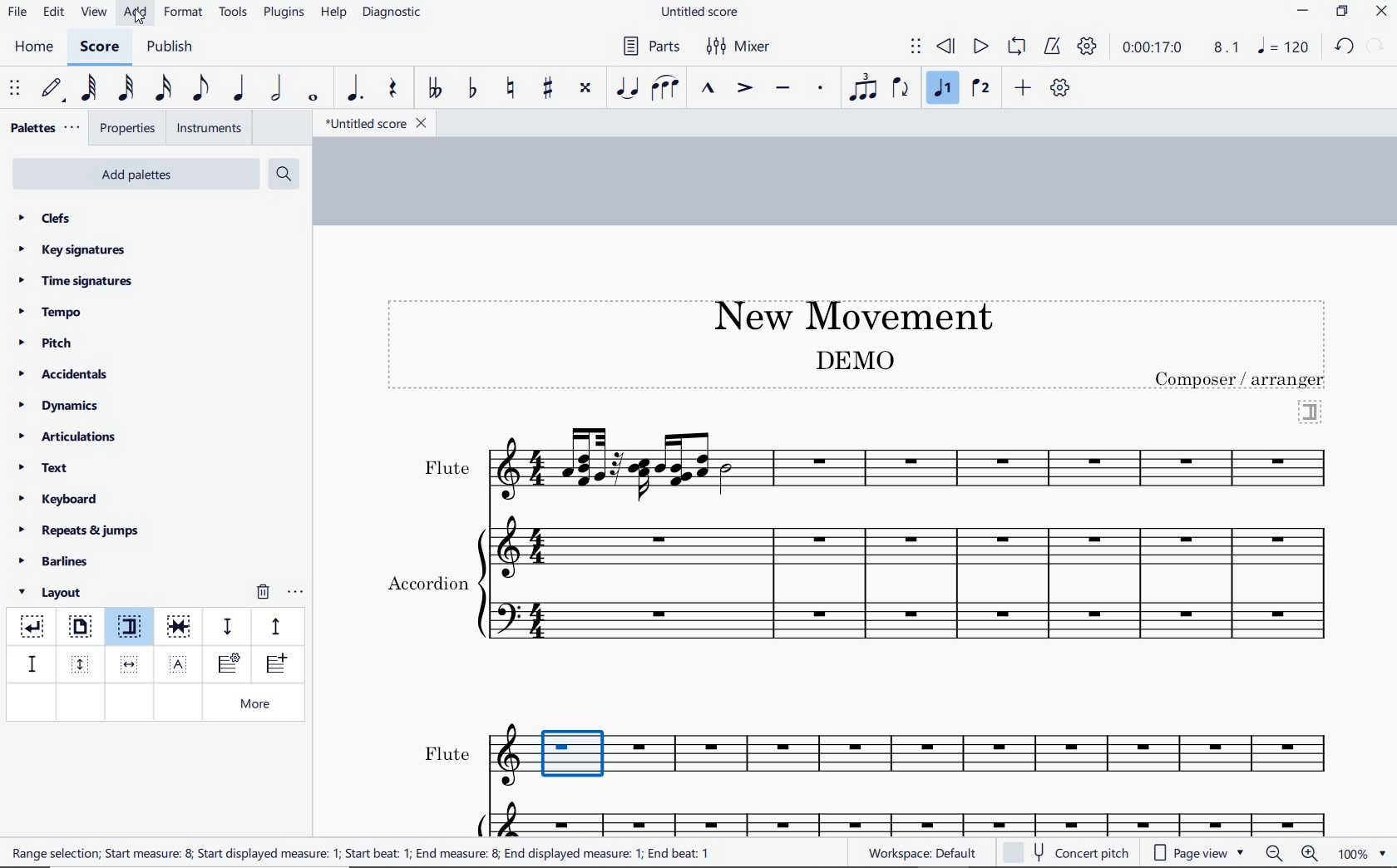 The height and width of the screenshot is (868, 1397). Describe the element at coordinates (666, 89) in the screenshot. I see `slur` at that location.